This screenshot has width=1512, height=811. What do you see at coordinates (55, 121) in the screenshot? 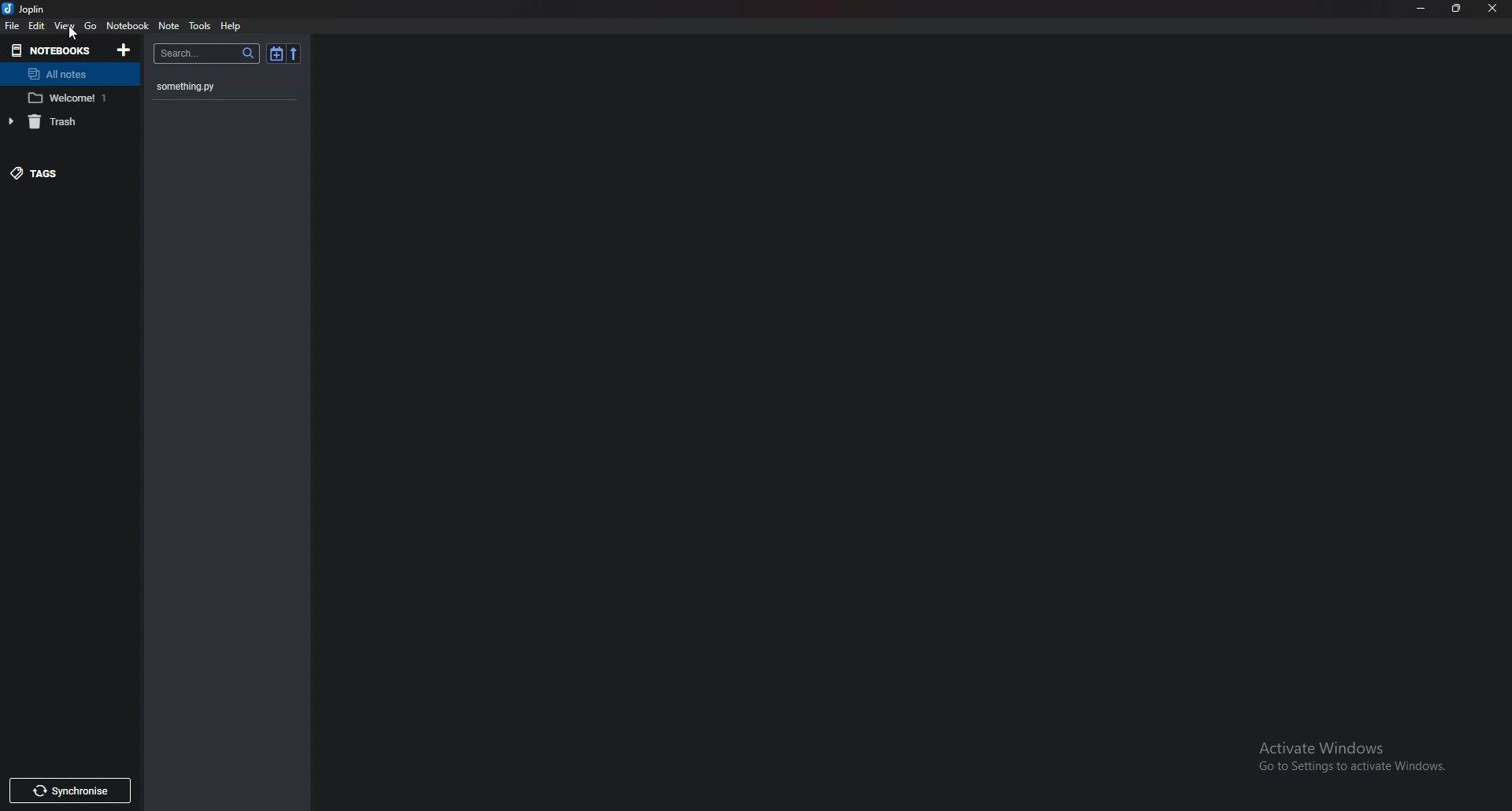
I see `trash` at bounding box center [55, 121].